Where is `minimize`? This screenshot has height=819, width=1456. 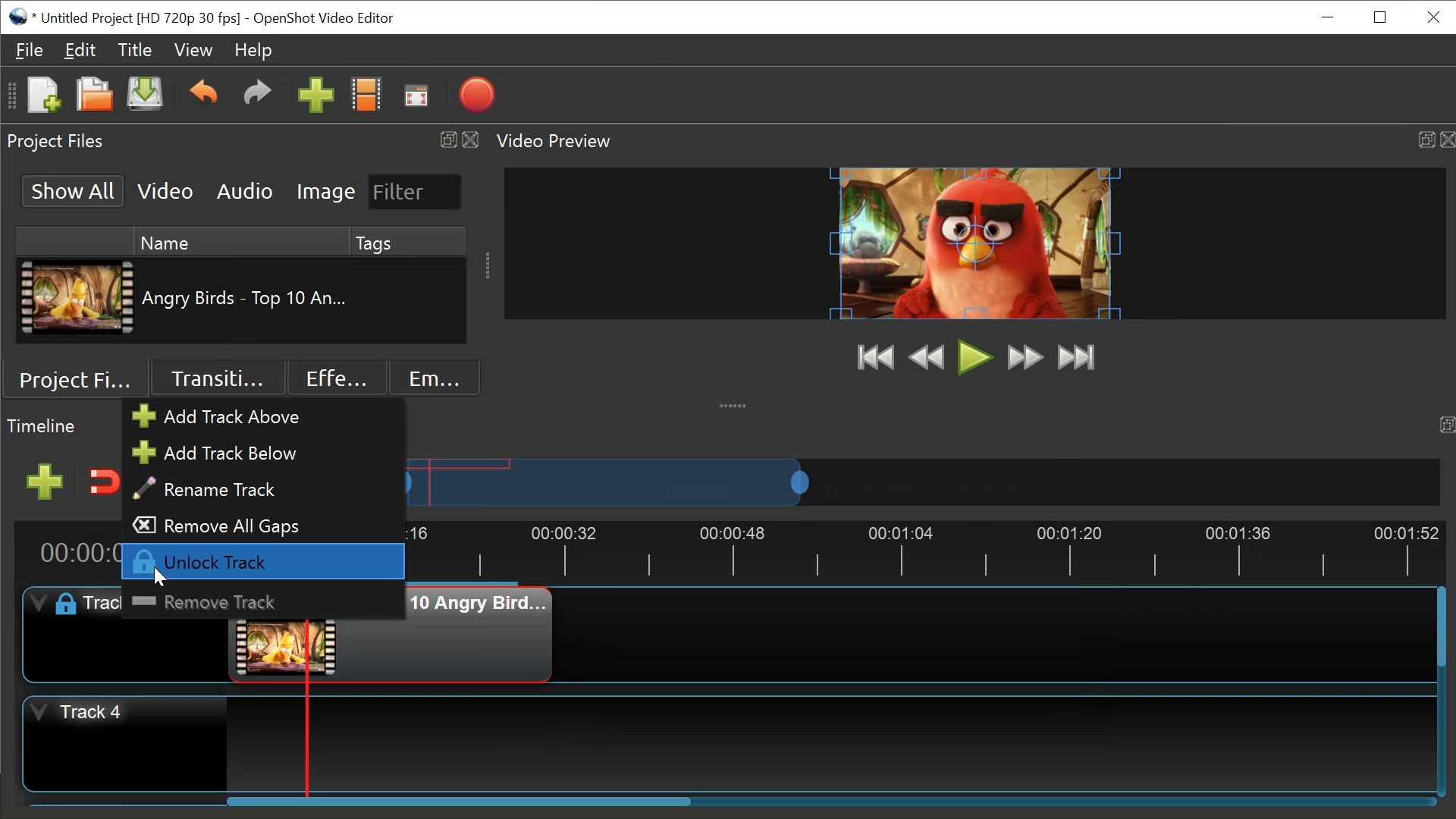 minimize is located at coordinates (1328, 19).